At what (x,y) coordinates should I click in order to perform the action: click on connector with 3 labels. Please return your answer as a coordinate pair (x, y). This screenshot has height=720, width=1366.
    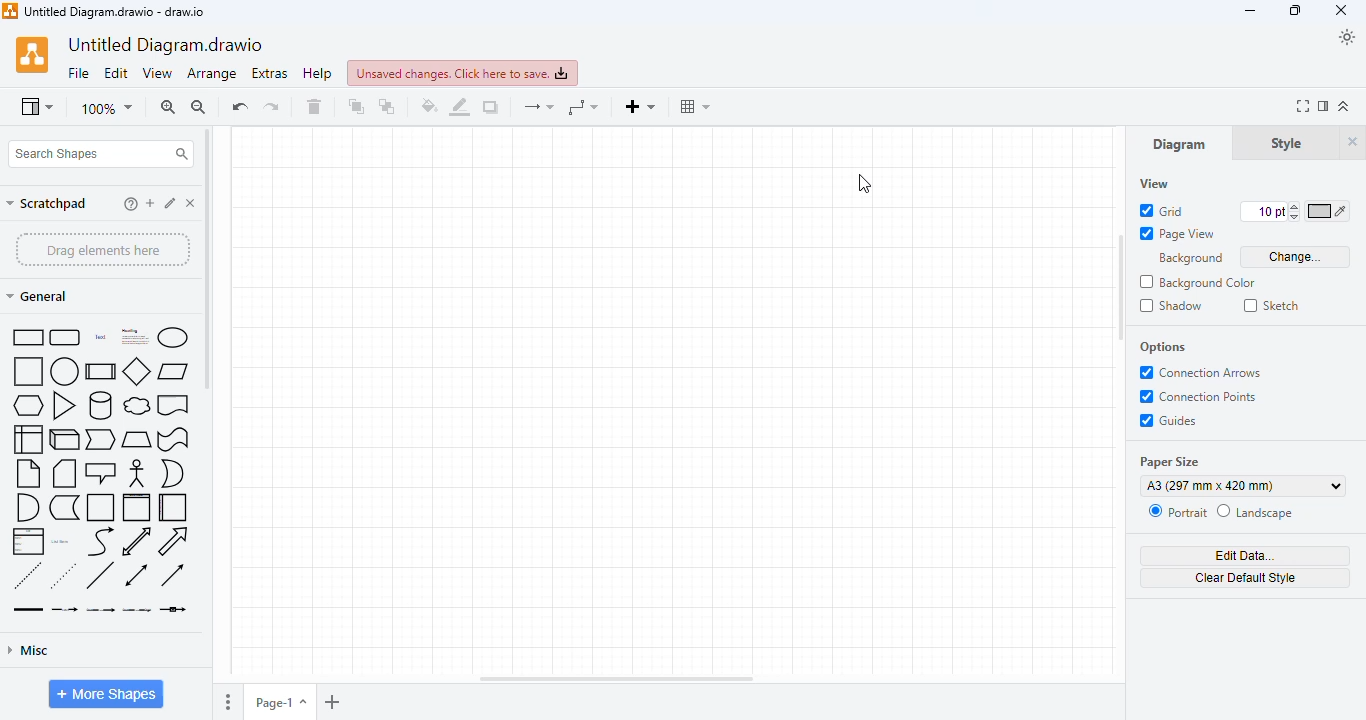
    Looking at the image, I should click on (137, 610).